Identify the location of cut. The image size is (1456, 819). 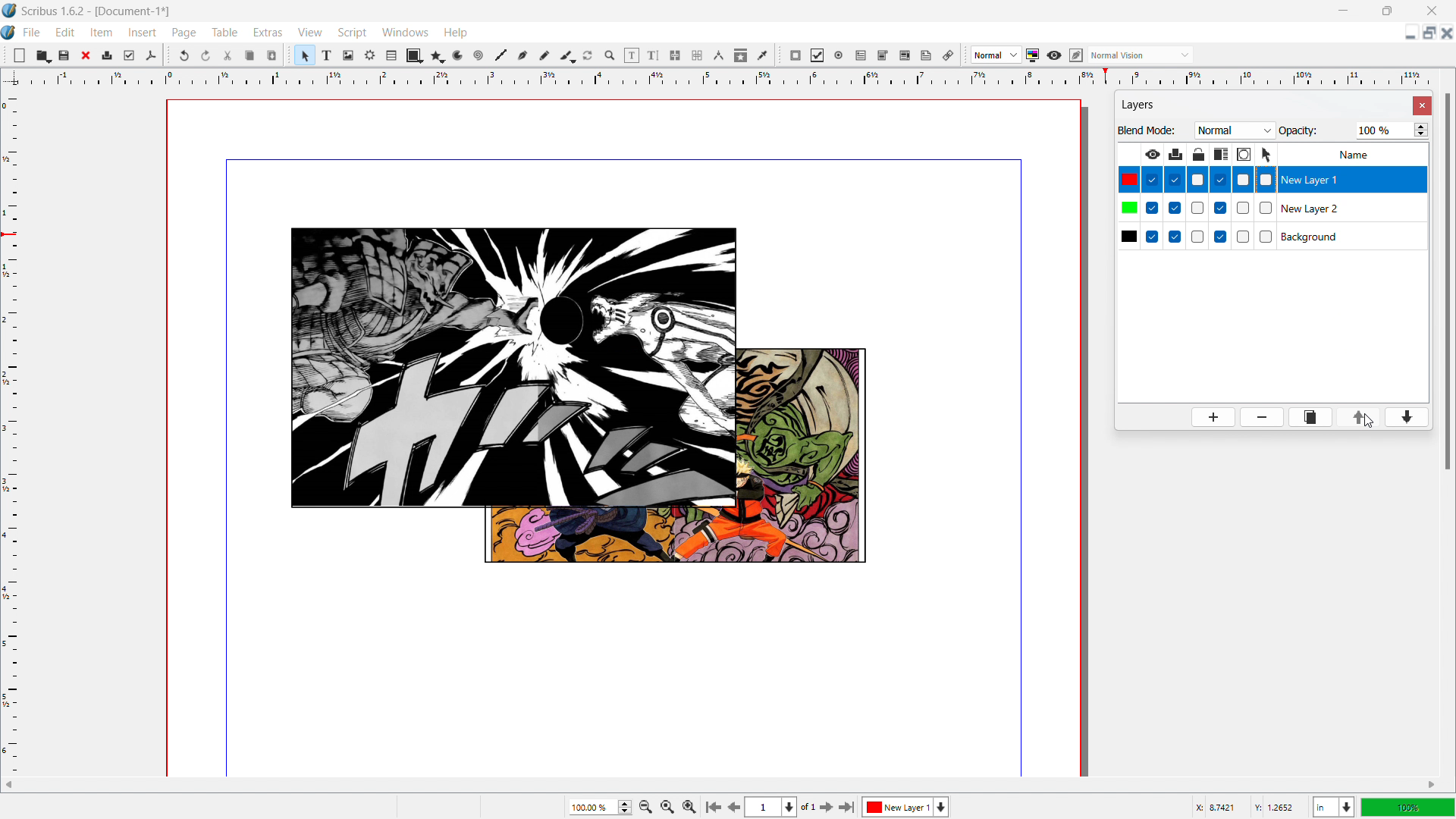
(227, 56).